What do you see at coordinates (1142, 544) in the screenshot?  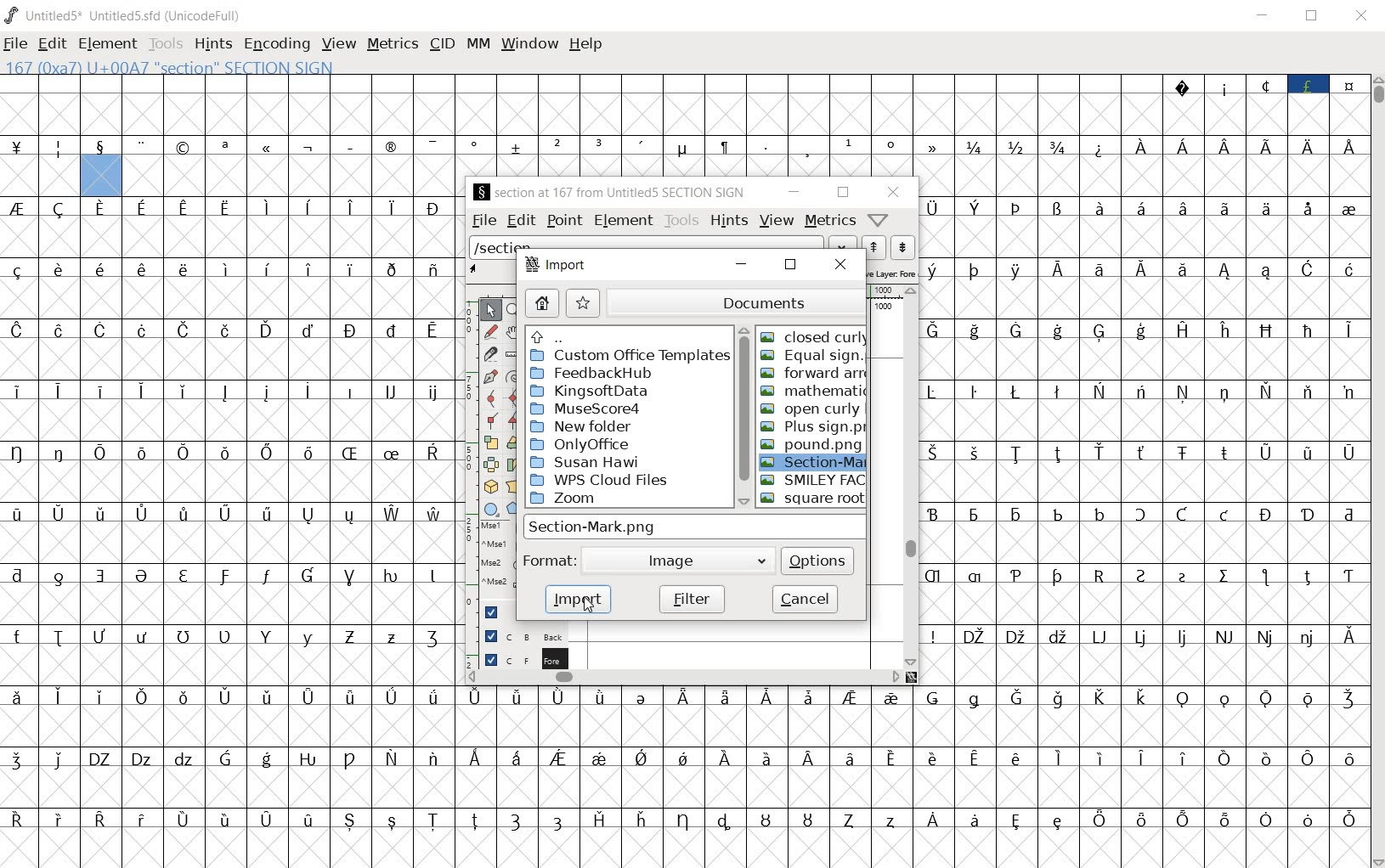 I see `empty cells` at bounding box center [1142, 544].